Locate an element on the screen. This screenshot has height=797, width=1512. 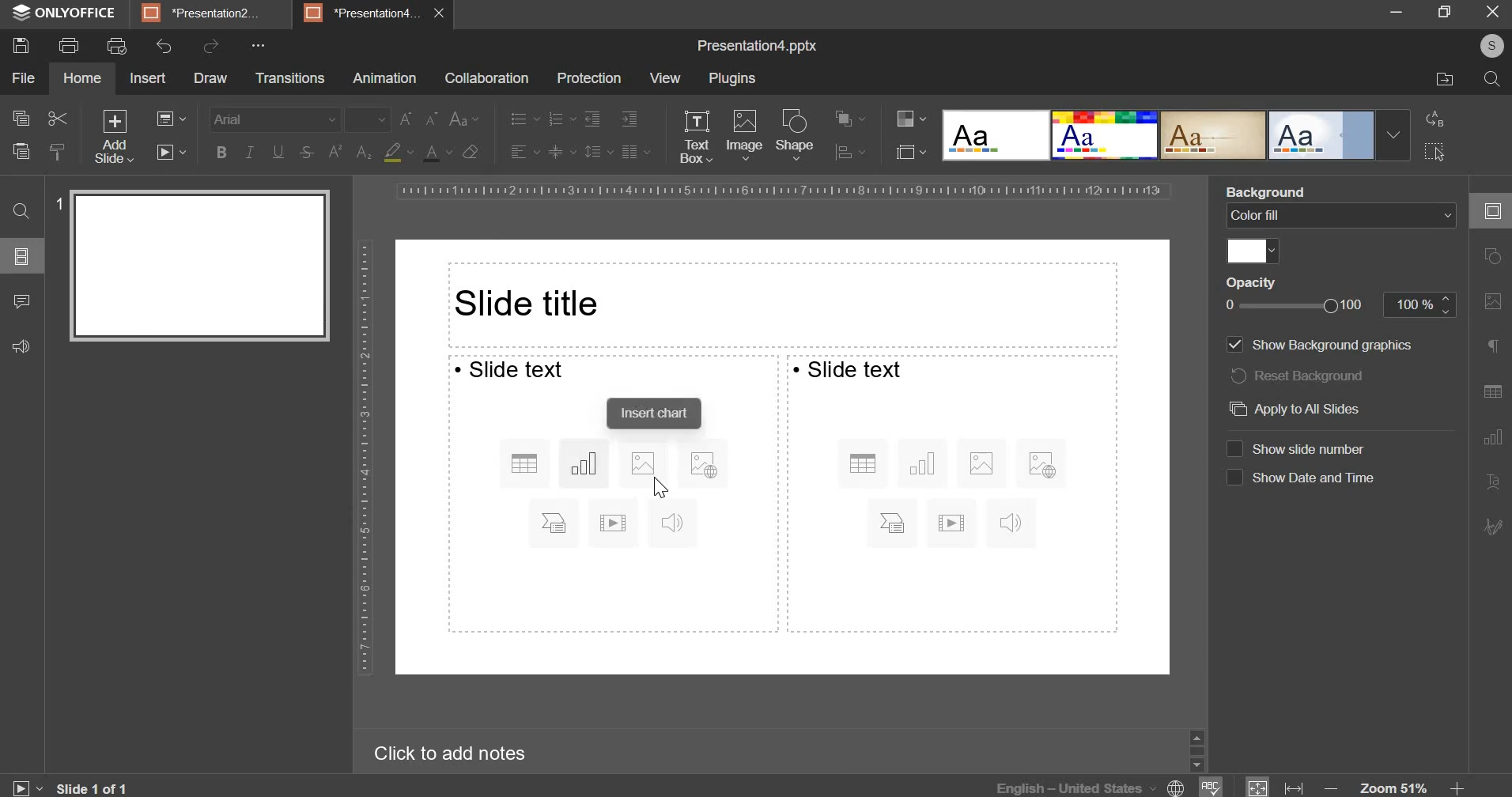
Drop-down  is located at coordinates (1393, 135).